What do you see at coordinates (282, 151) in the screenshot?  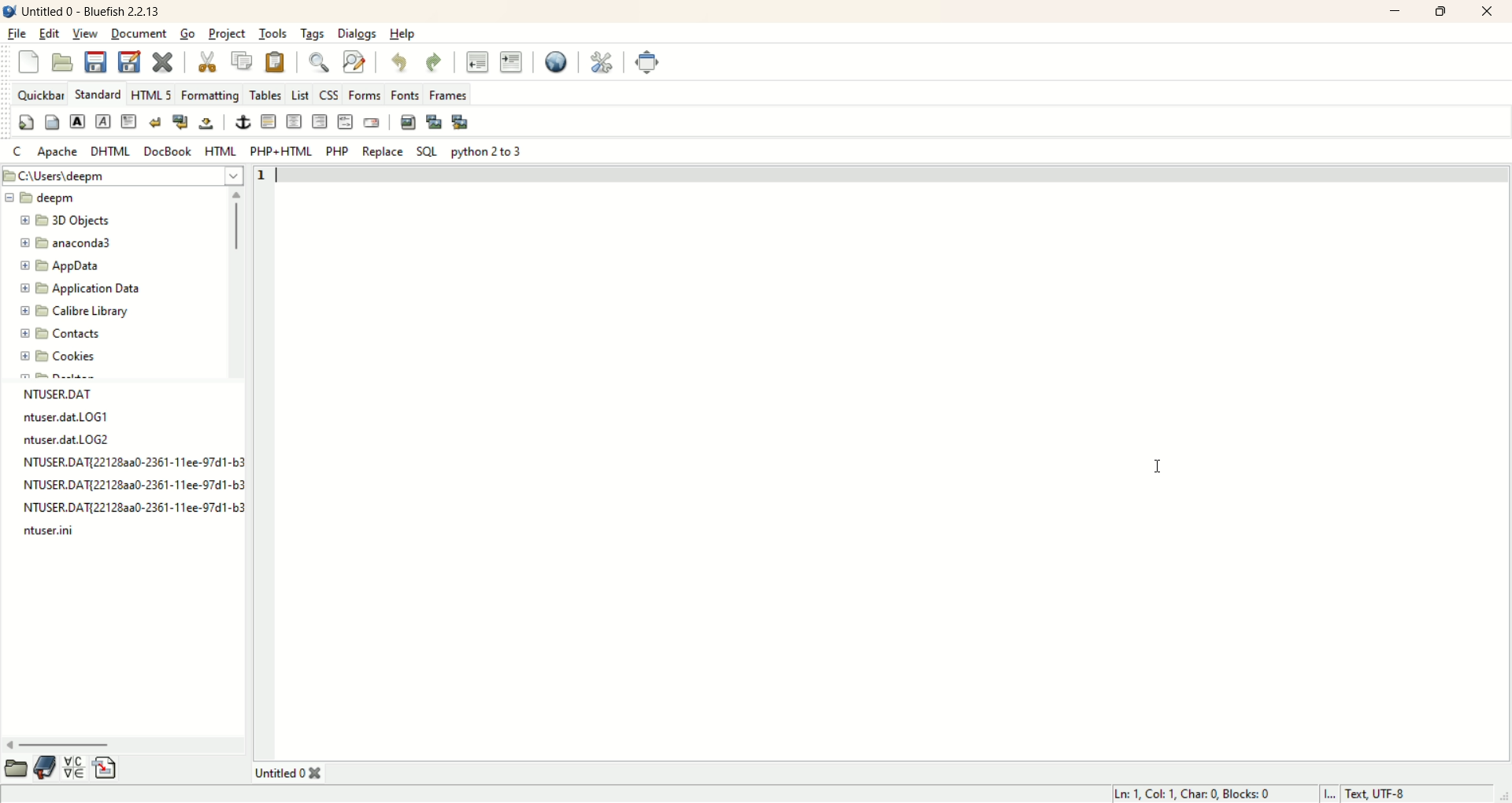 I see `PHP+HTML` at bounding box center [282, 151].